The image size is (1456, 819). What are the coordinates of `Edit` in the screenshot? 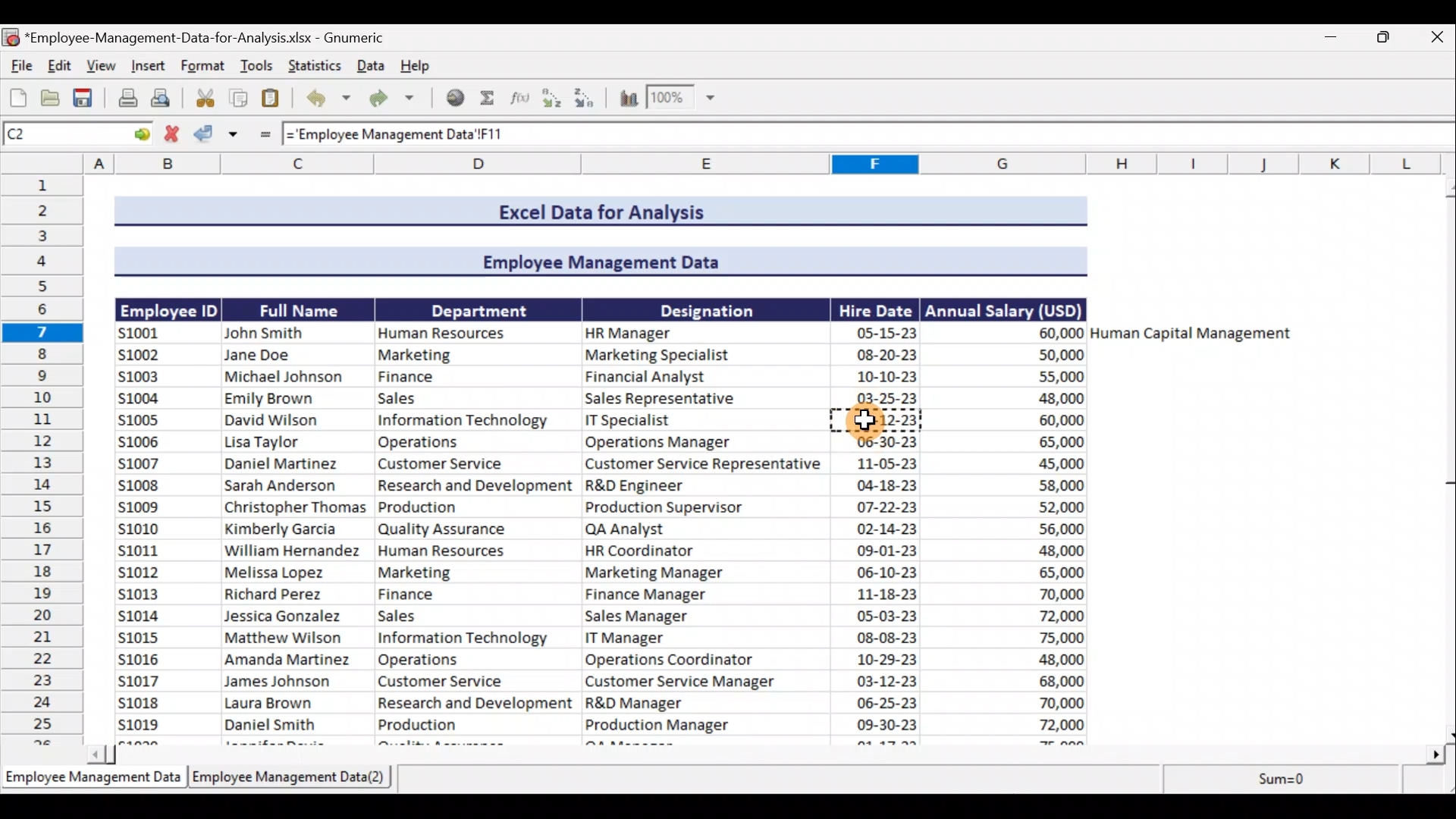 It's located at (58, 65).